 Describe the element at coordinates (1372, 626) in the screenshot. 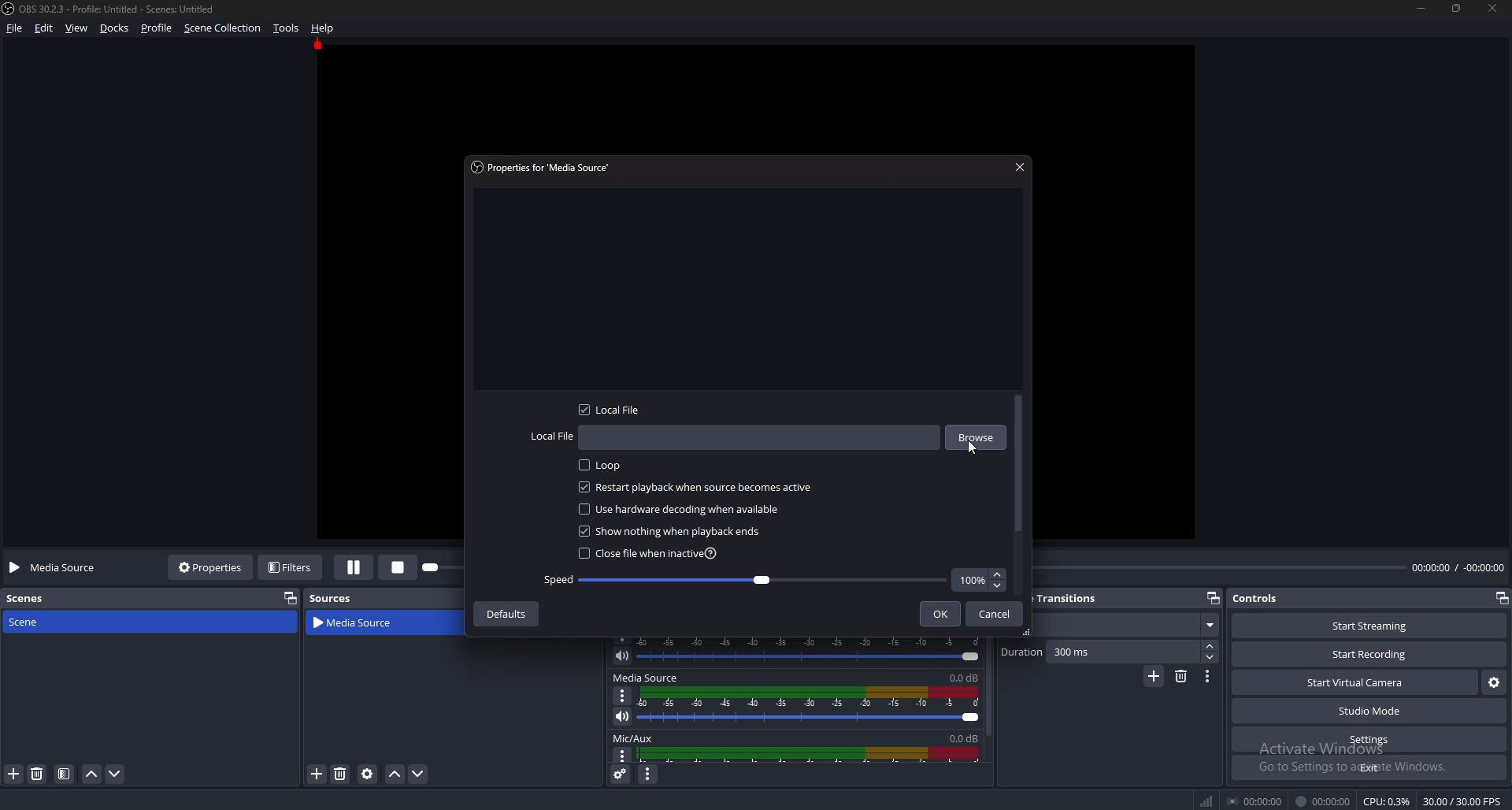

I see `Start streaming` at that location.